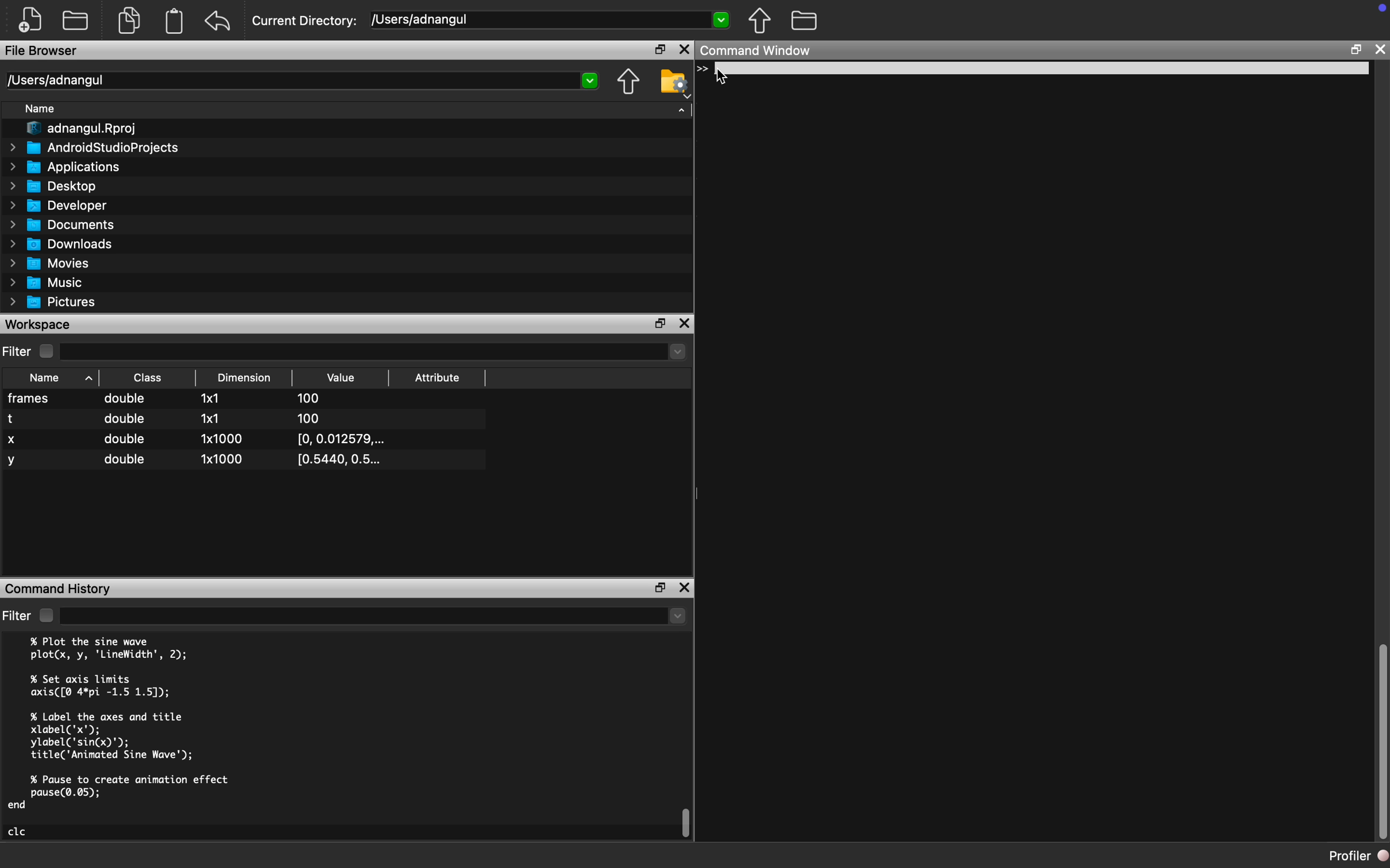 The image size is (1390, 868). I want to click on Reset, so click(218, 22).